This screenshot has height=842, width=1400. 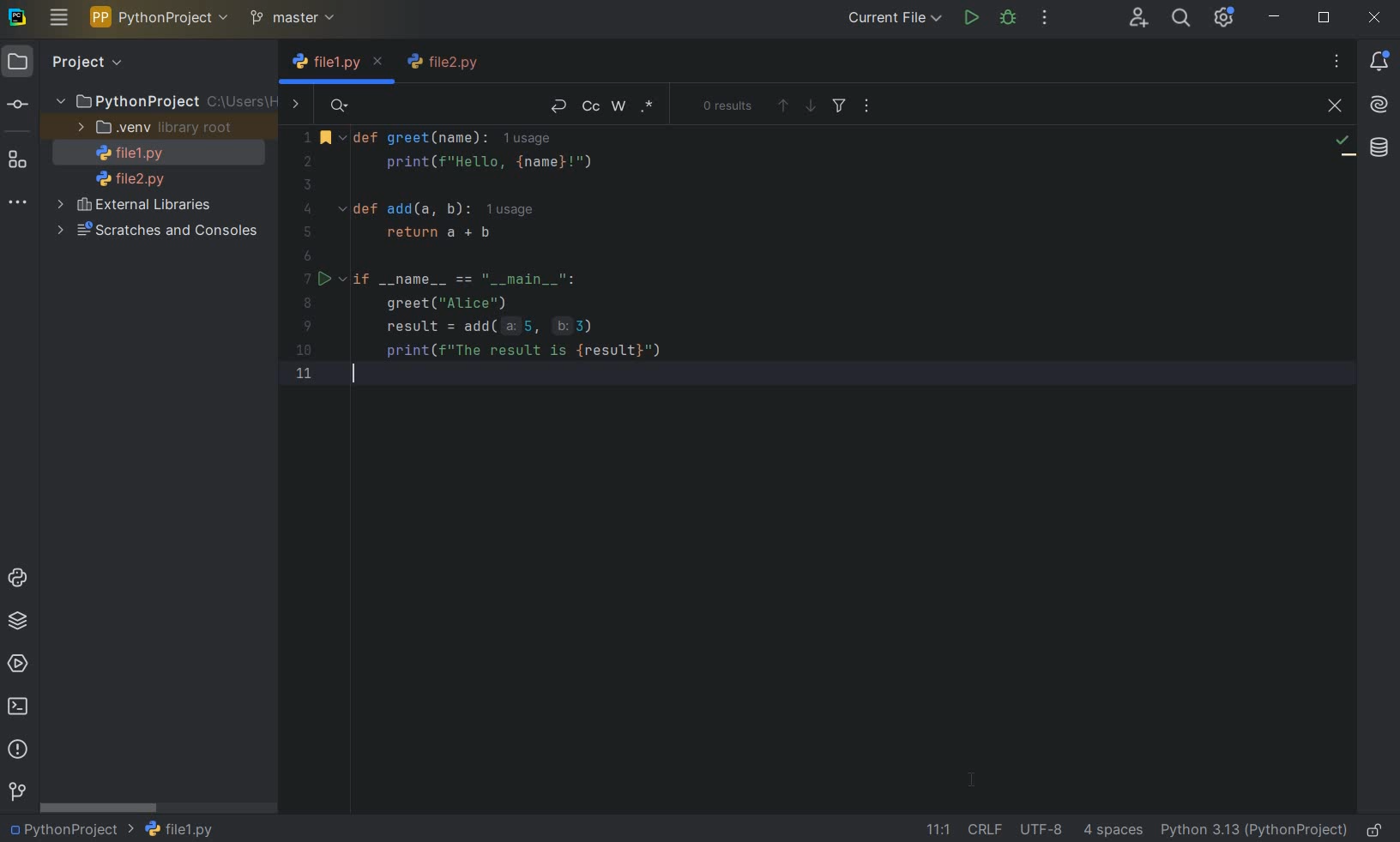 What do you see at coordinates (1378, 830) in the screenshot?
I see `MAKE FILE READY ONLY` at bounding box center [1378, 830].